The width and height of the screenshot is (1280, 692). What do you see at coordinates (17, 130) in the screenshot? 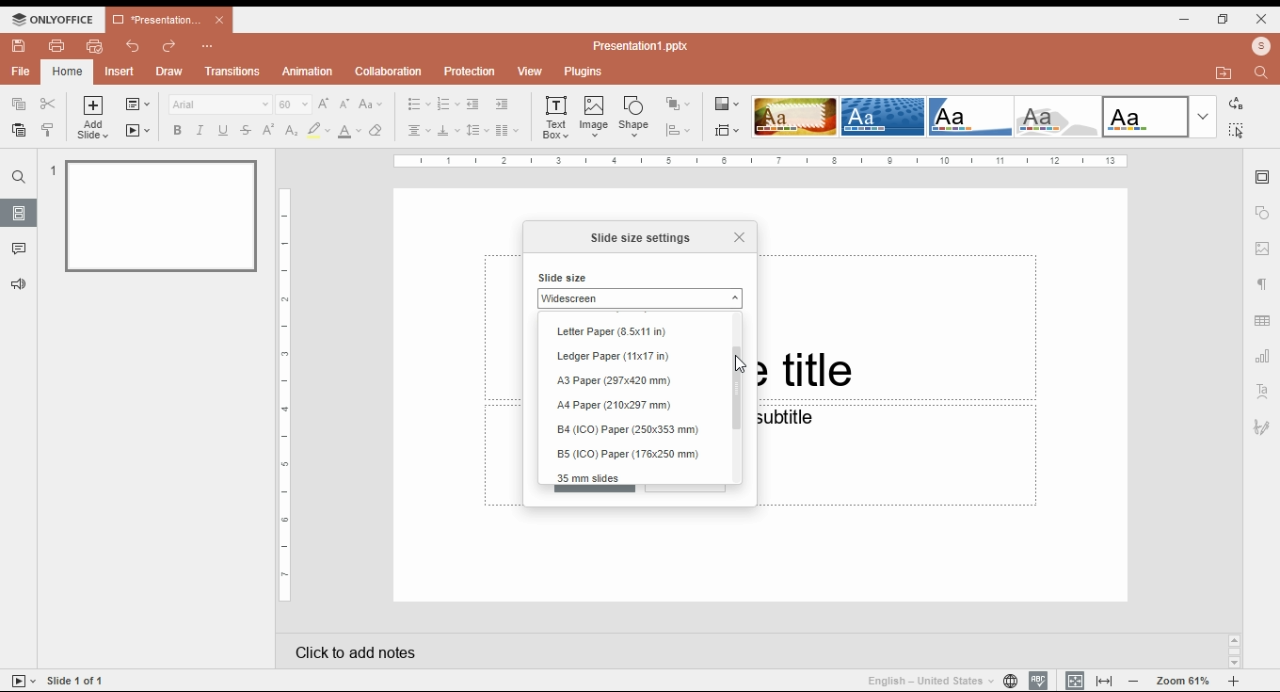
I see `paste` at bounding box center [17, 130].